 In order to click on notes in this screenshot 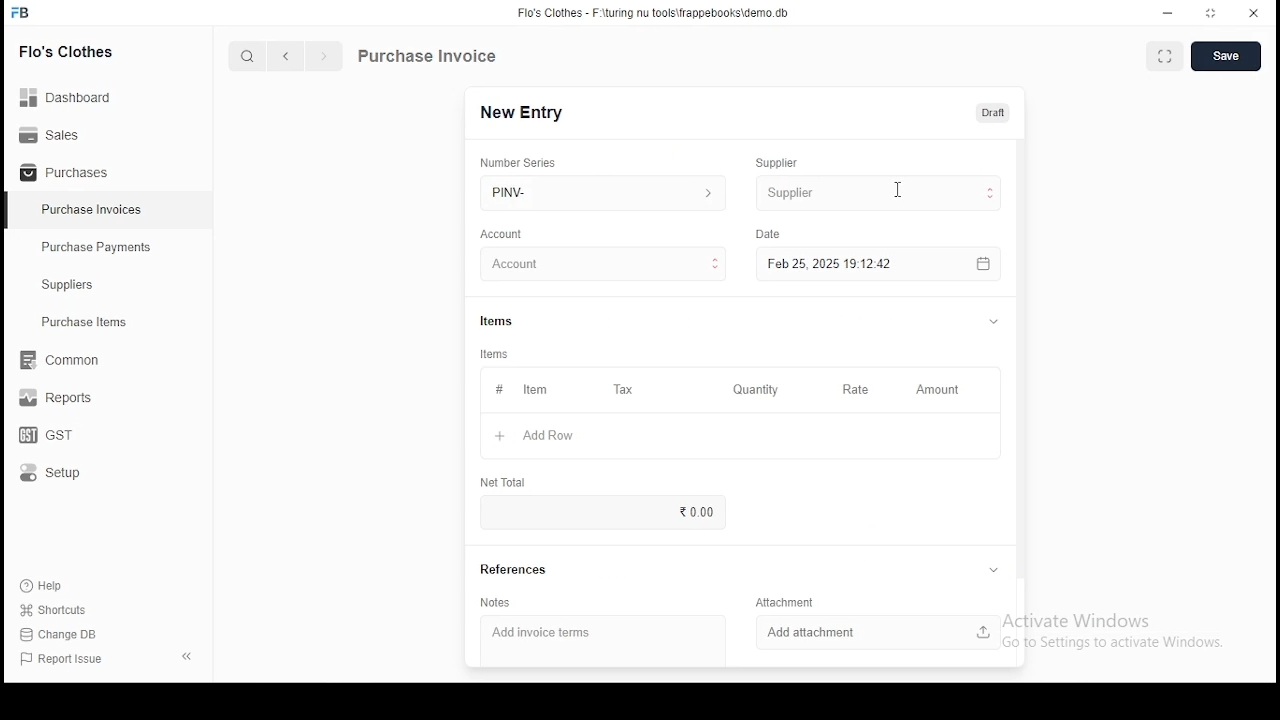, I will do `click(496, 603)`.